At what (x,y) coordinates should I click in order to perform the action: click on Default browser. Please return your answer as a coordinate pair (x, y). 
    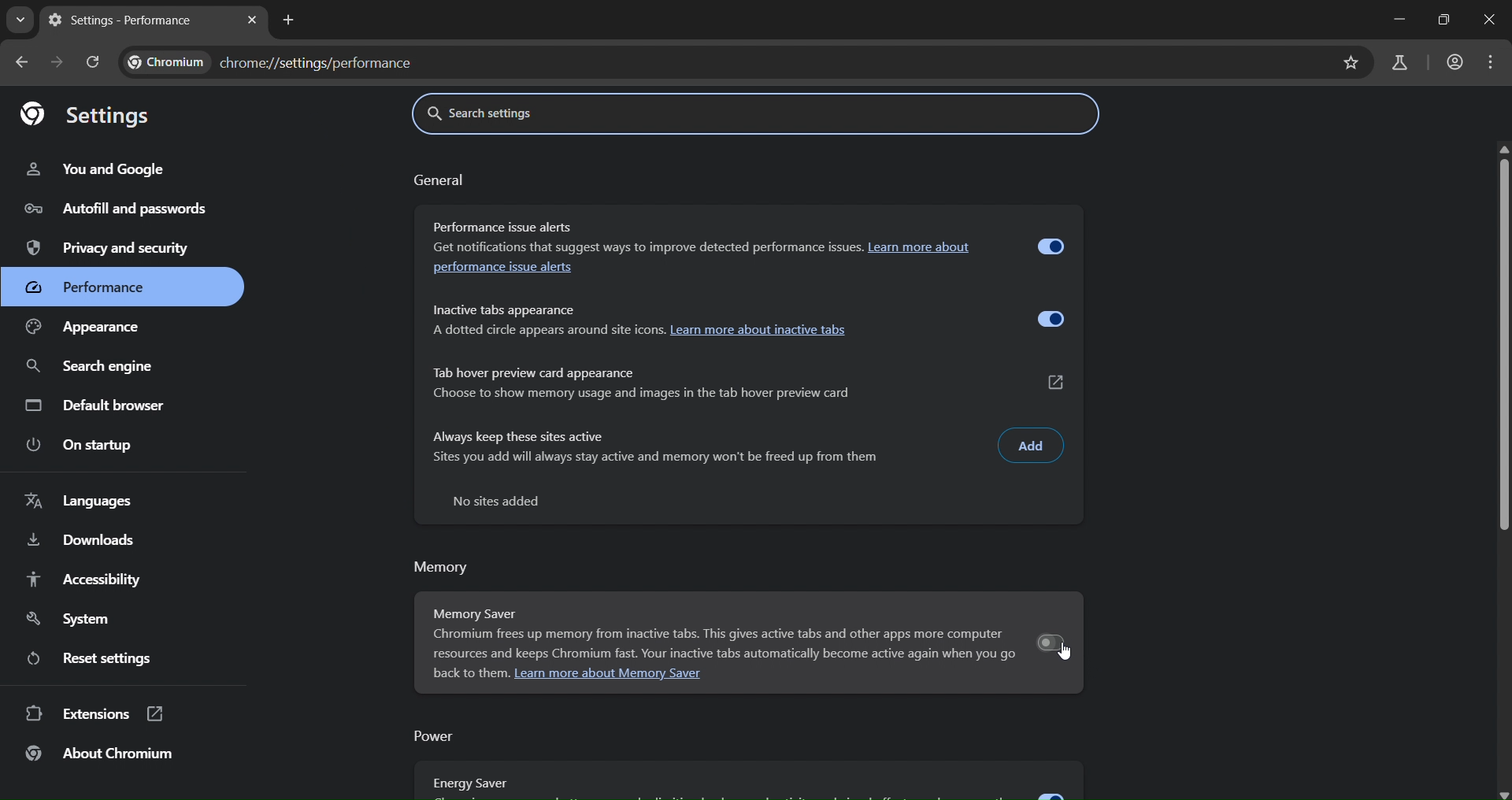
    Looking at the image, I should click on (98, 406).